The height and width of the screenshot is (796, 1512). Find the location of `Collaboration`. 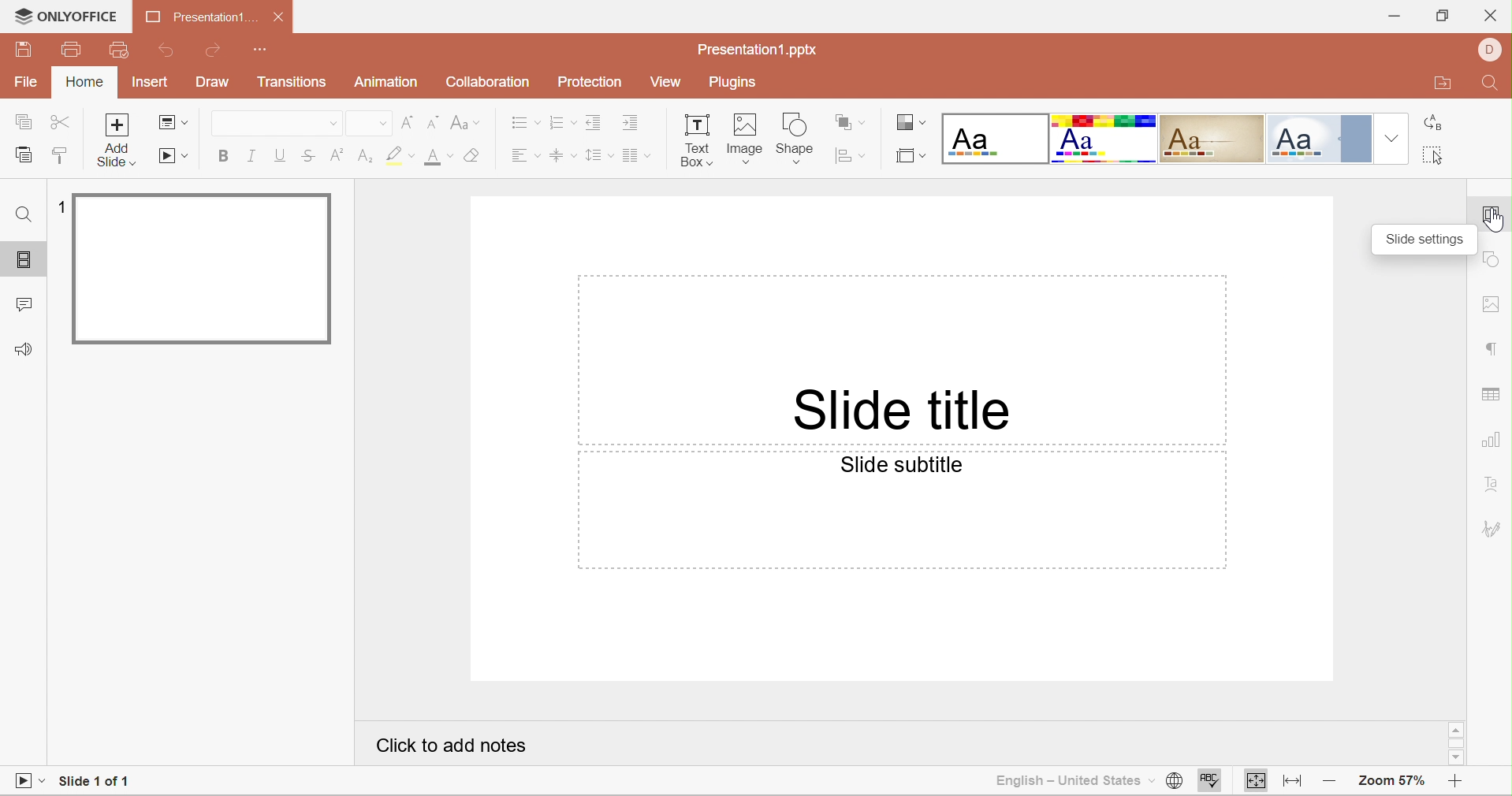

Collaboration is located at coordinates (487, 82).